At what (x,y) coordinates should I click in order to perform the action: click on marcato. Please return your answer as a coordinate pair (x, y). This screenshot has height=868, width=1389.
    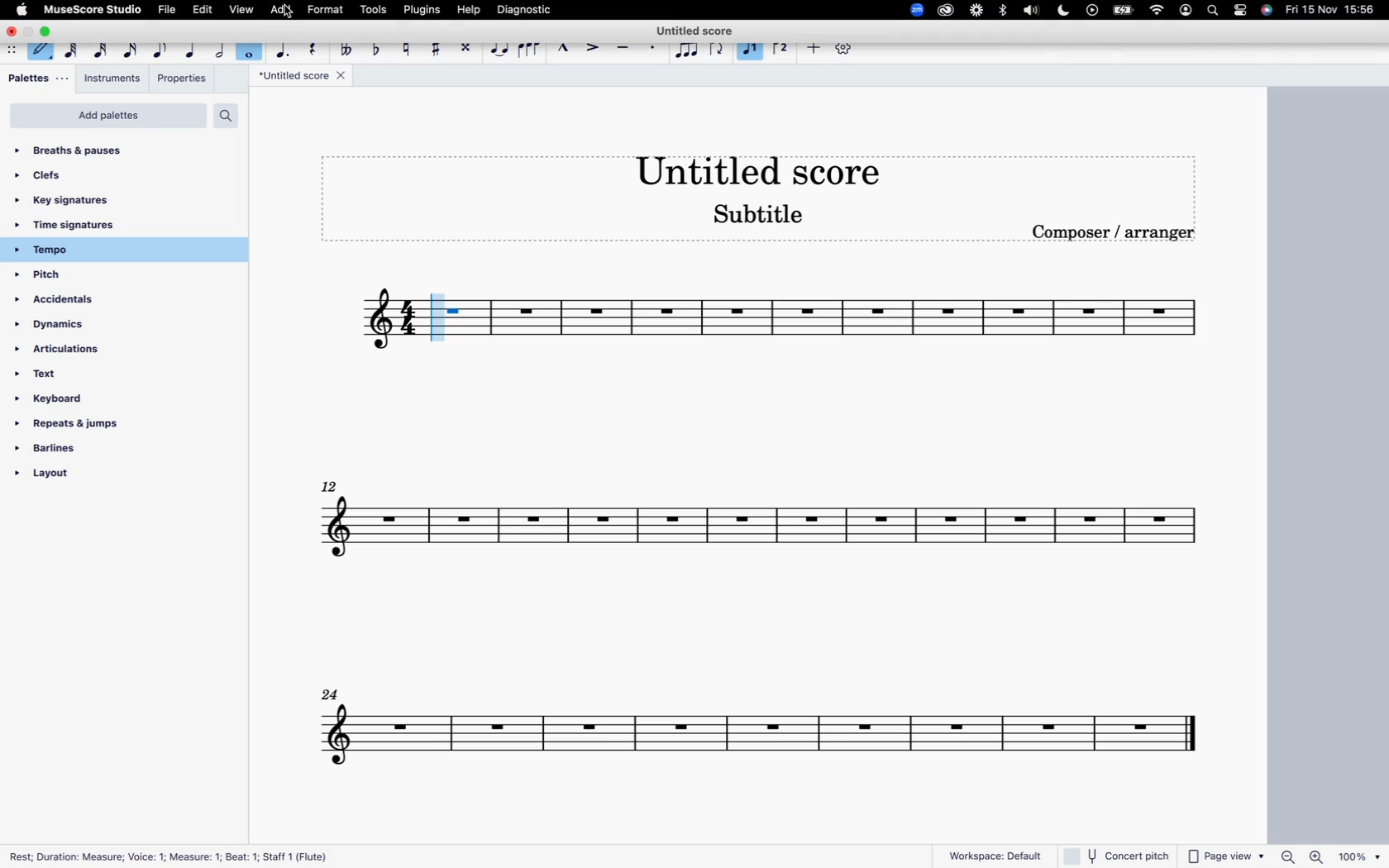
    Looking at the image, I should click on (563, 49).